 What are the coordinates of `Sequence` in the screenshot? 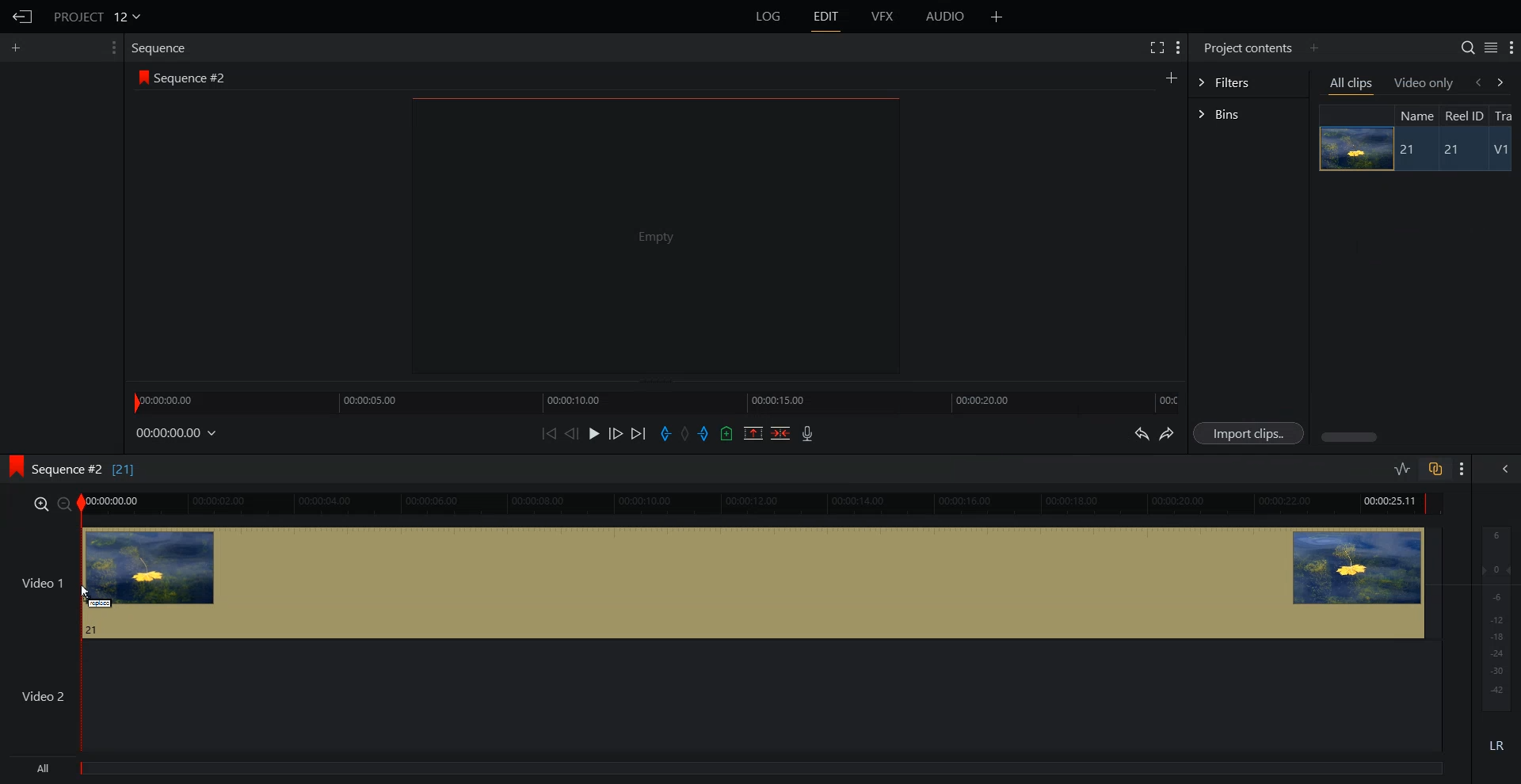 It's located at (162, 49).